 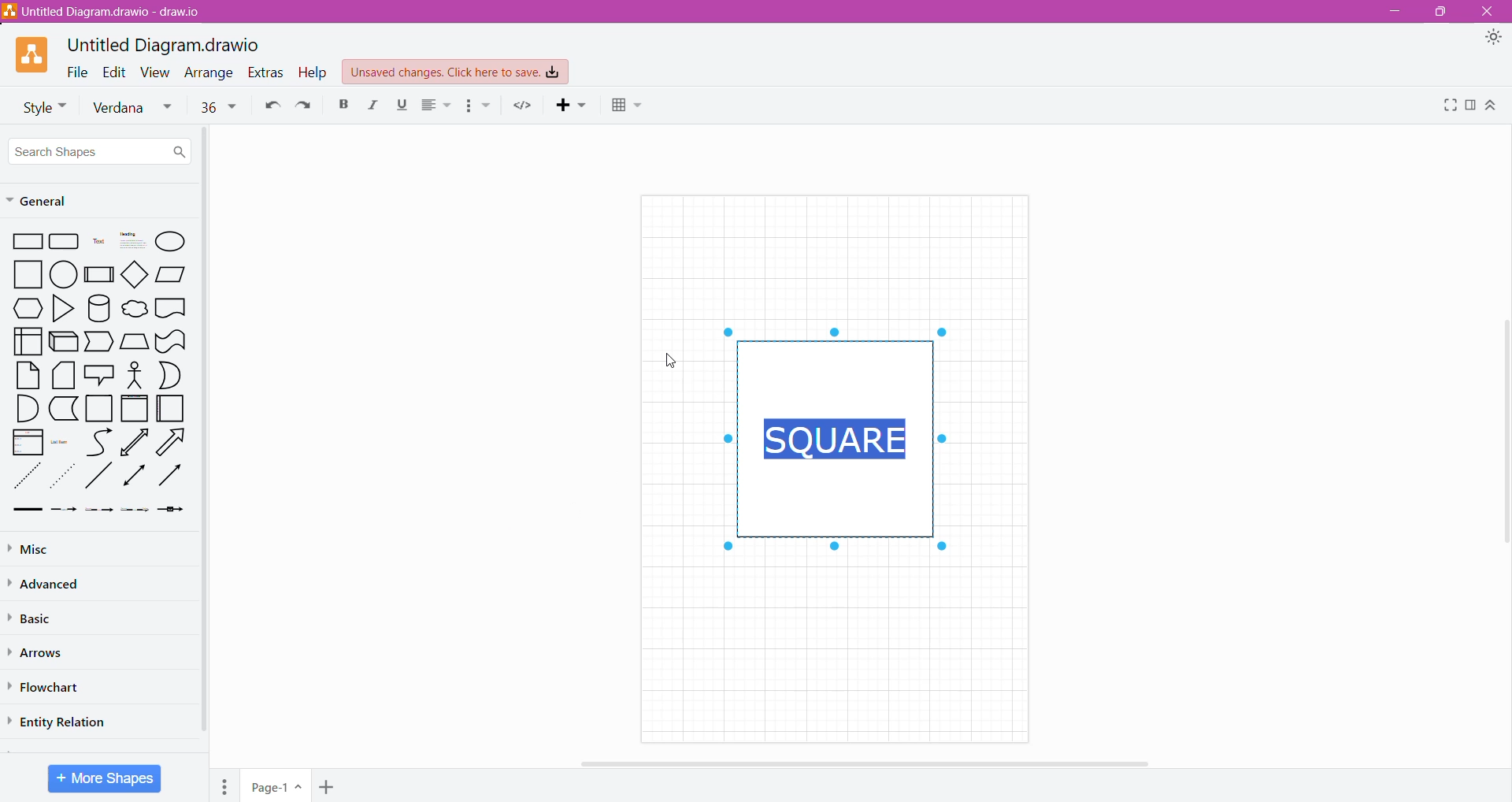 What do you see at coordinates (204, 446) in the screenshot?
I see `Vertical Scroll Bar` at bounding box center [204, 446].